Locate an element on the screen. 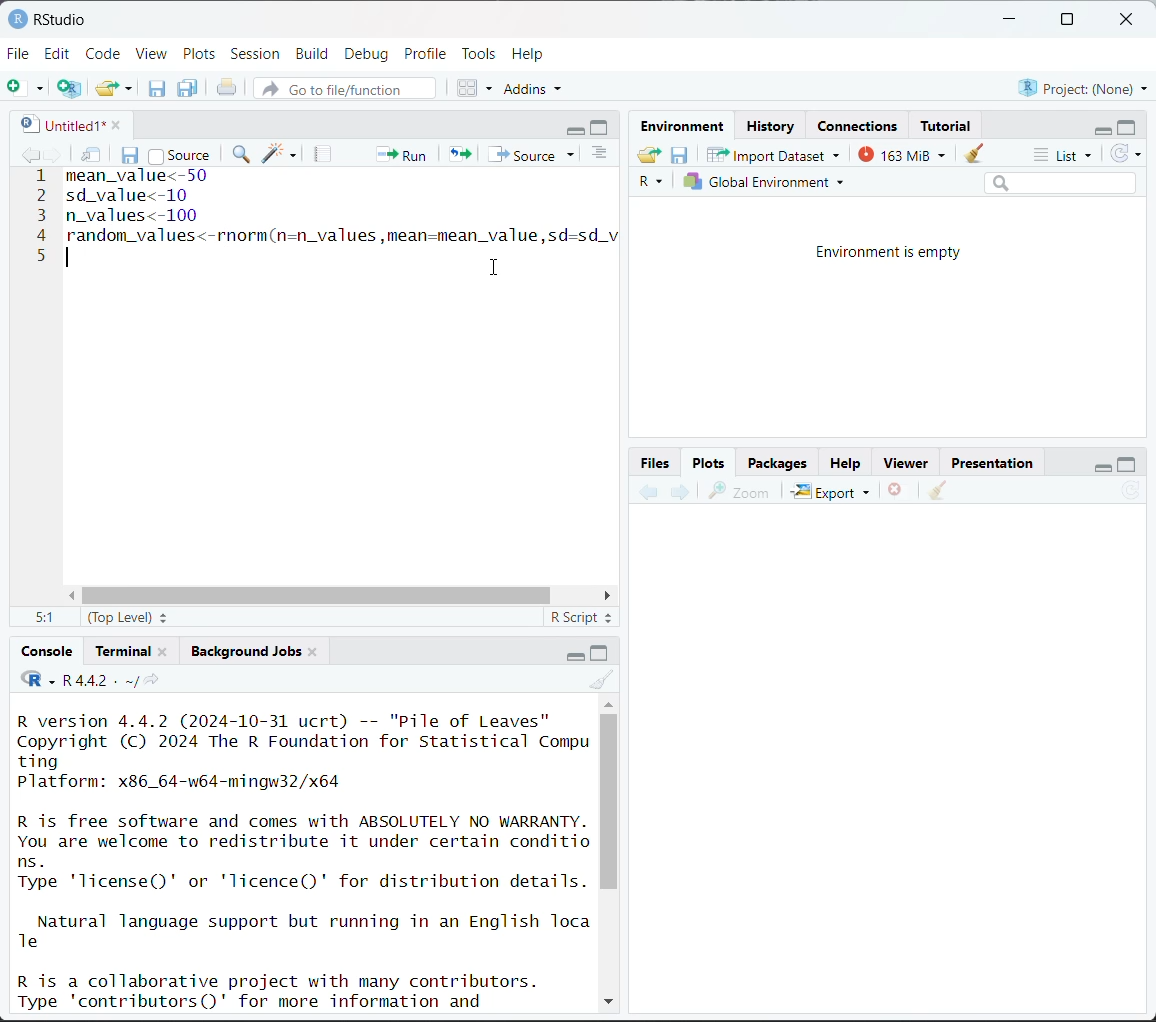  go backward to previous source location is located at coordinates (30, 156).